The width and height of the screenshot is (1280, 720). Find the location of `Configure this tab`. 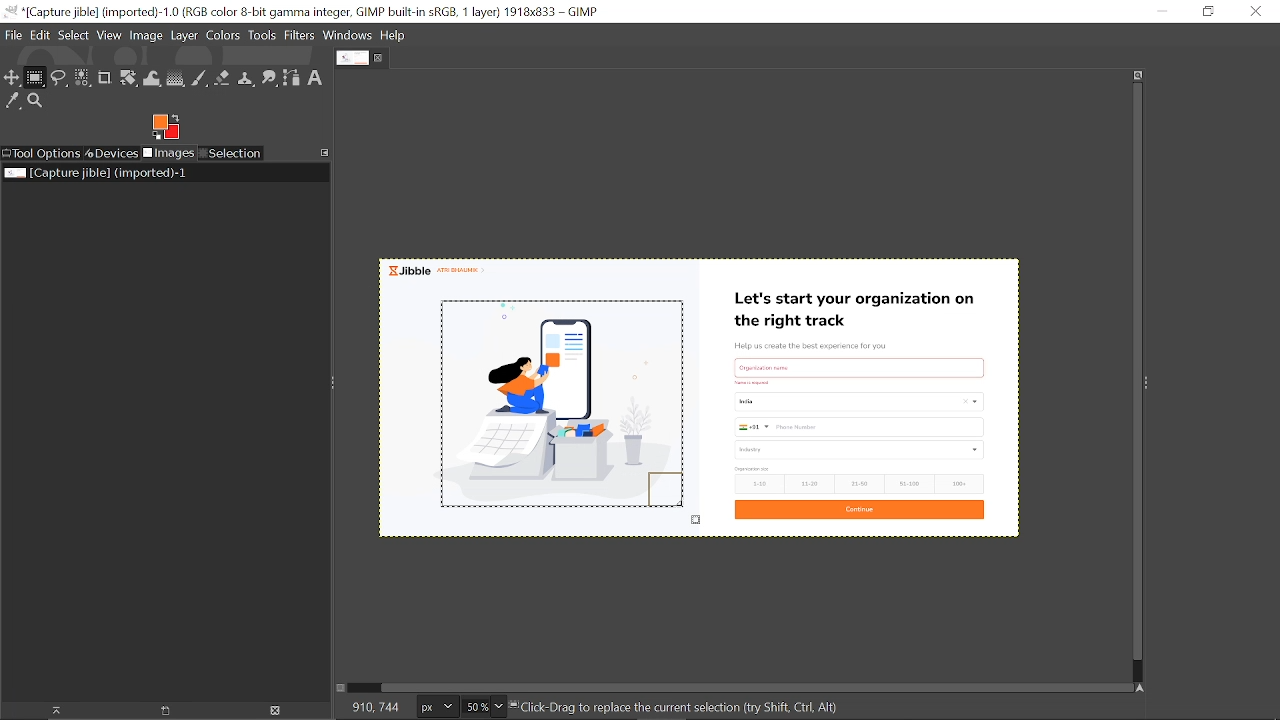

Configure this tab is located at coordinates (326, 152).